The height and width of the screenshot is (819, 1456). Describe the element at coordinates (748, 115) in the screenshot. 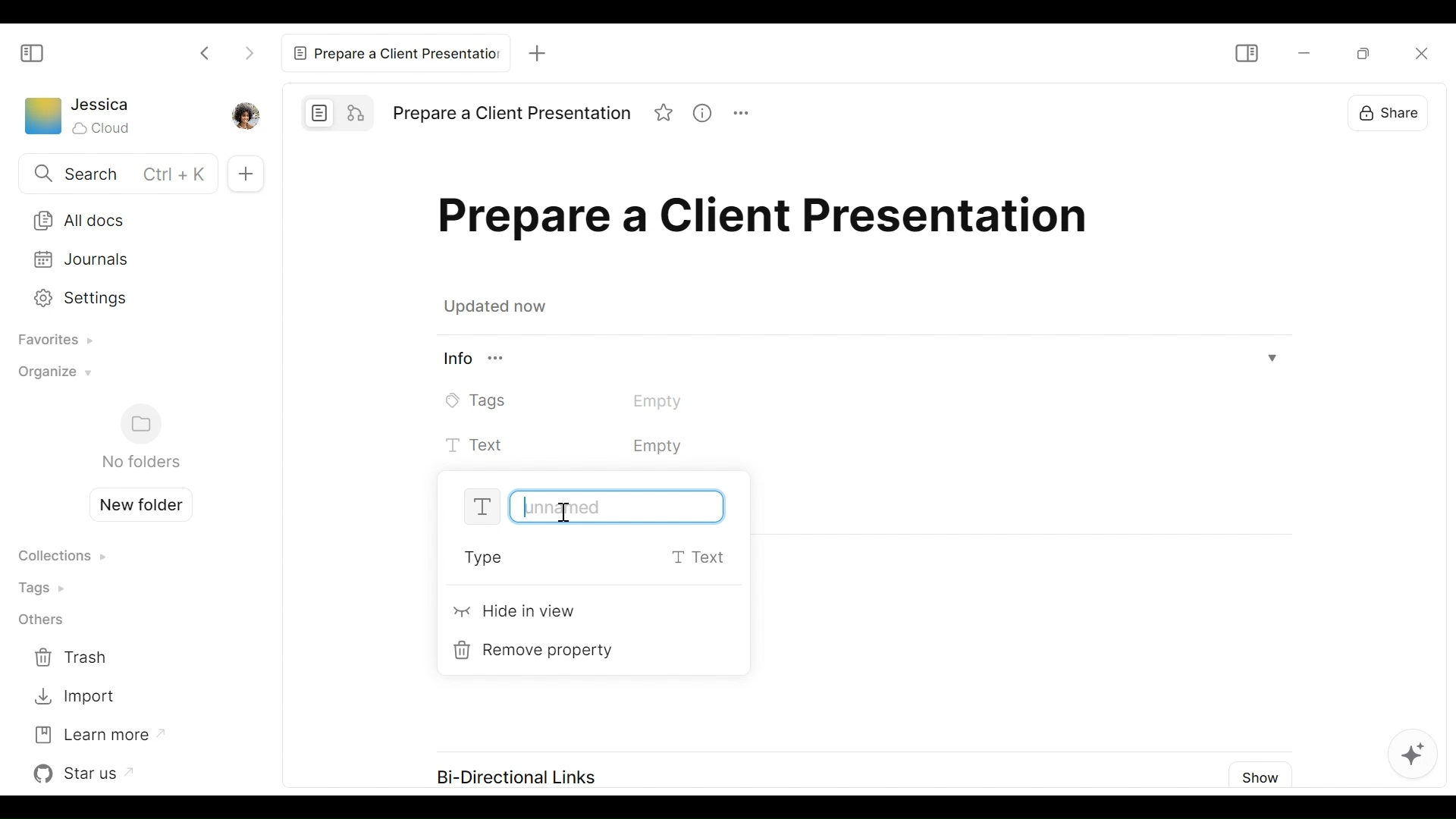

I see `More` at that location.